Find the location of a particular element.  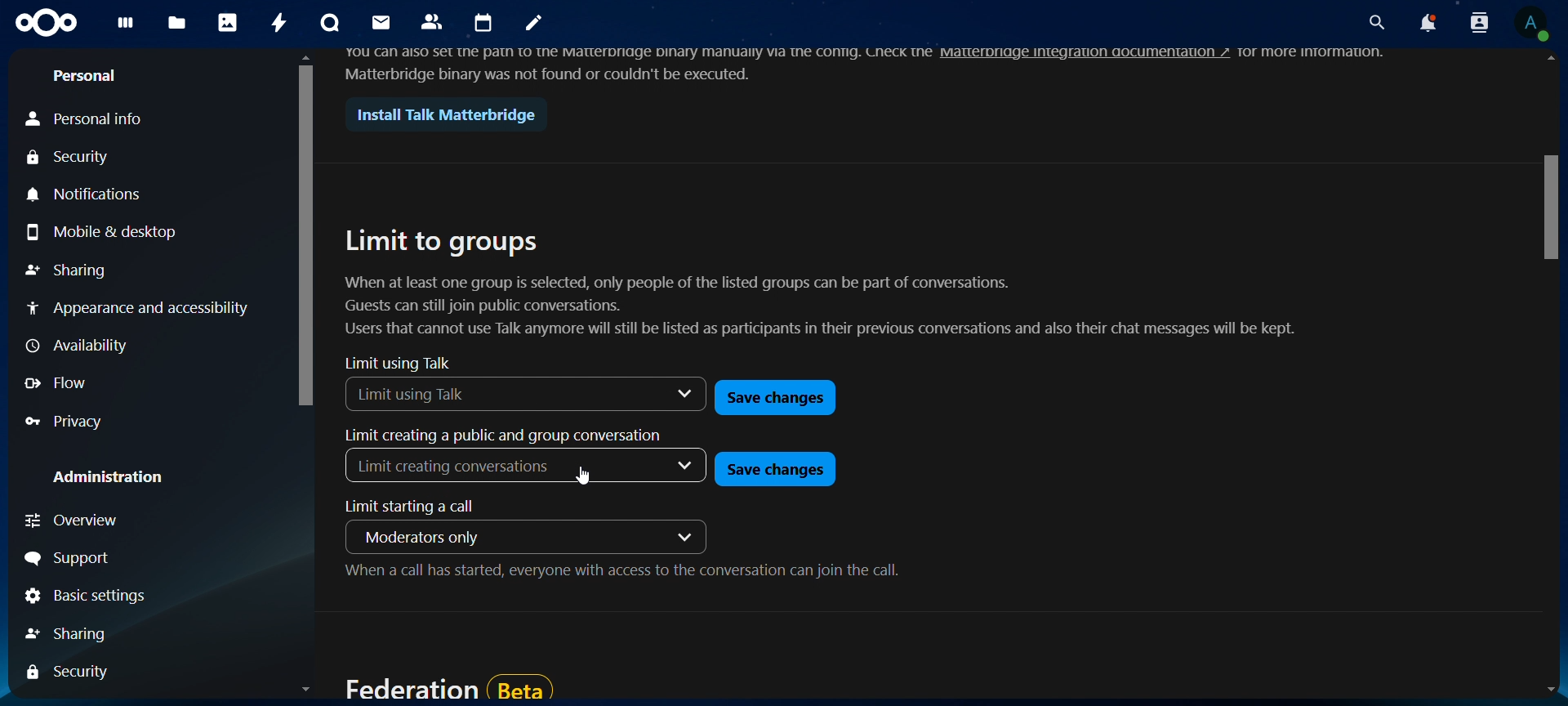

save changes is located at coordinates (774, 468).